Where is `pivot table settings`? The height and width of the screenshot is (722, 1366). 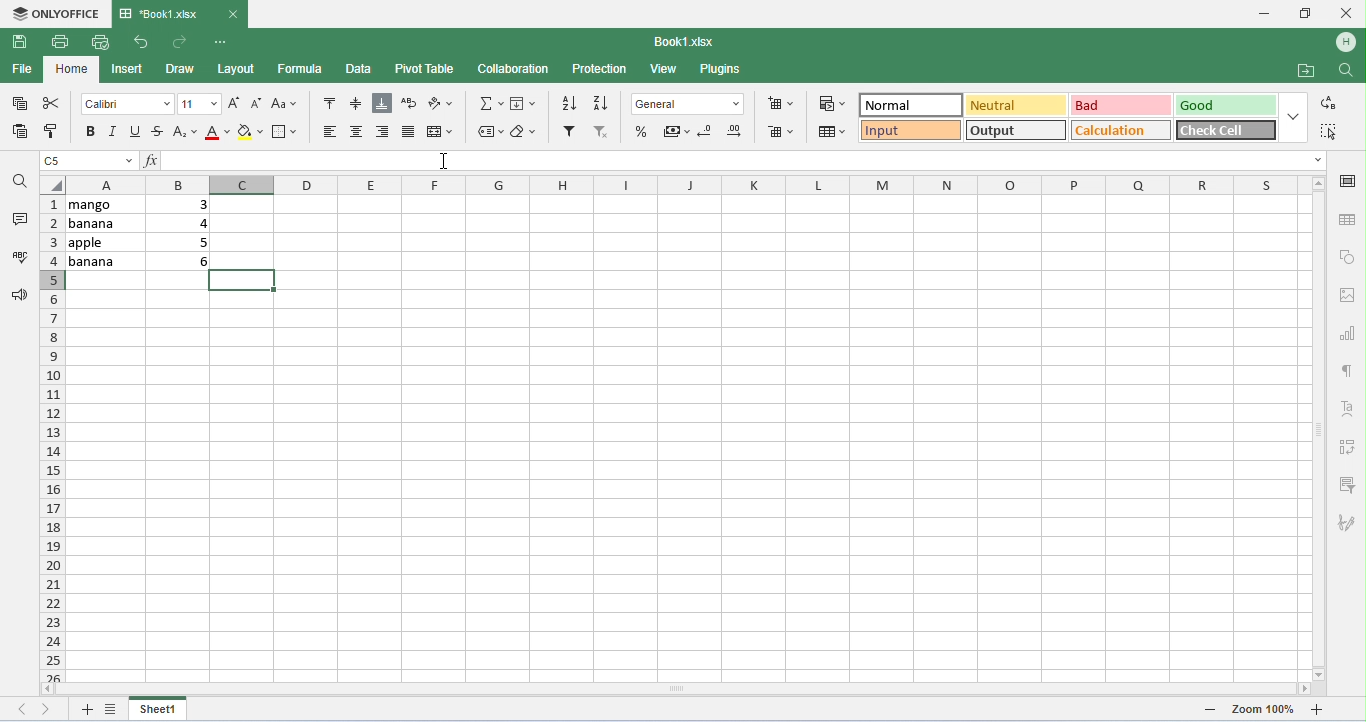
pivot table settings is located at coordinates (1346, 446).